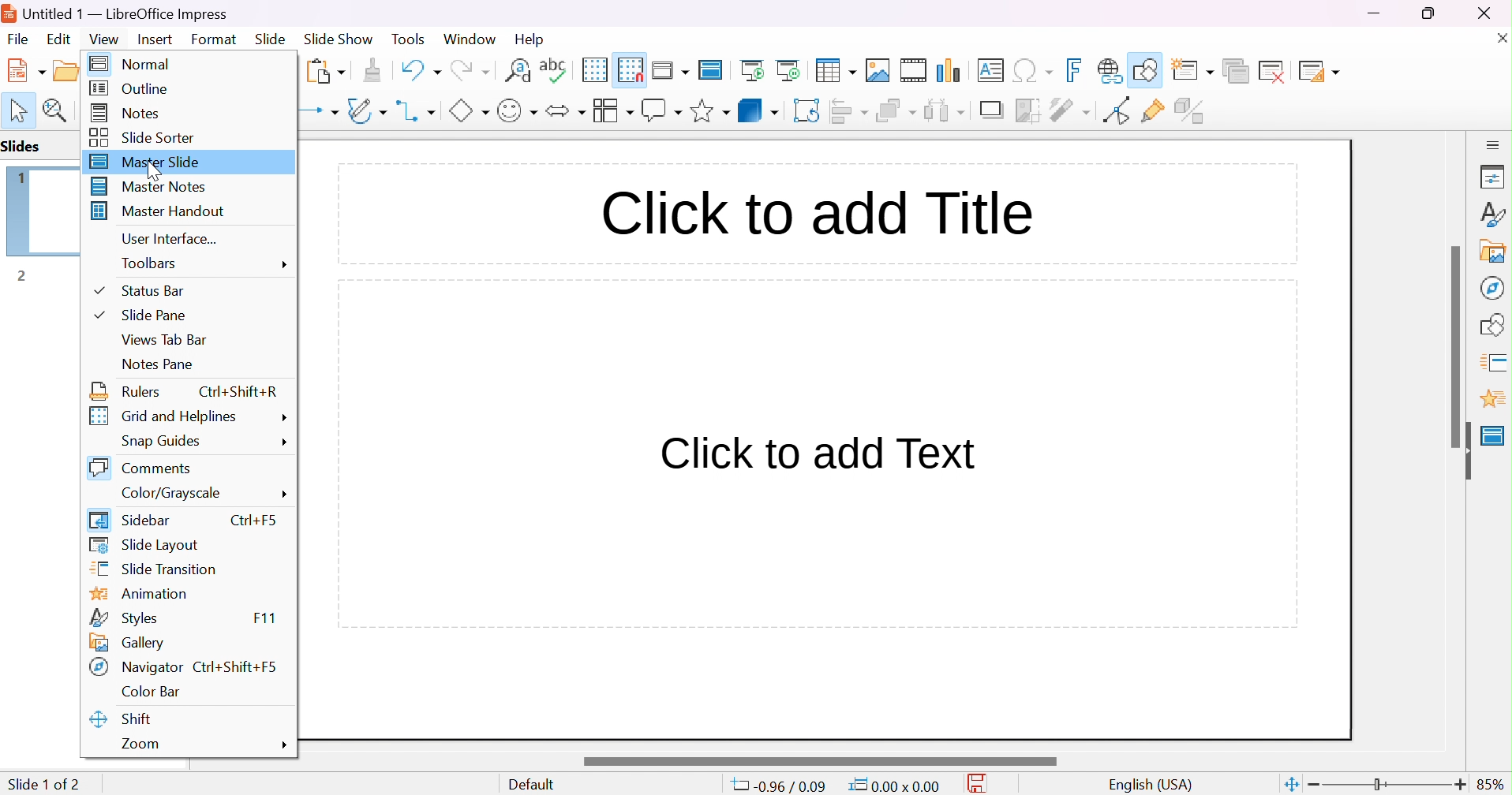 This screenshot has width=1512, height=795. I want to click on restore down, so click(1429, 13).